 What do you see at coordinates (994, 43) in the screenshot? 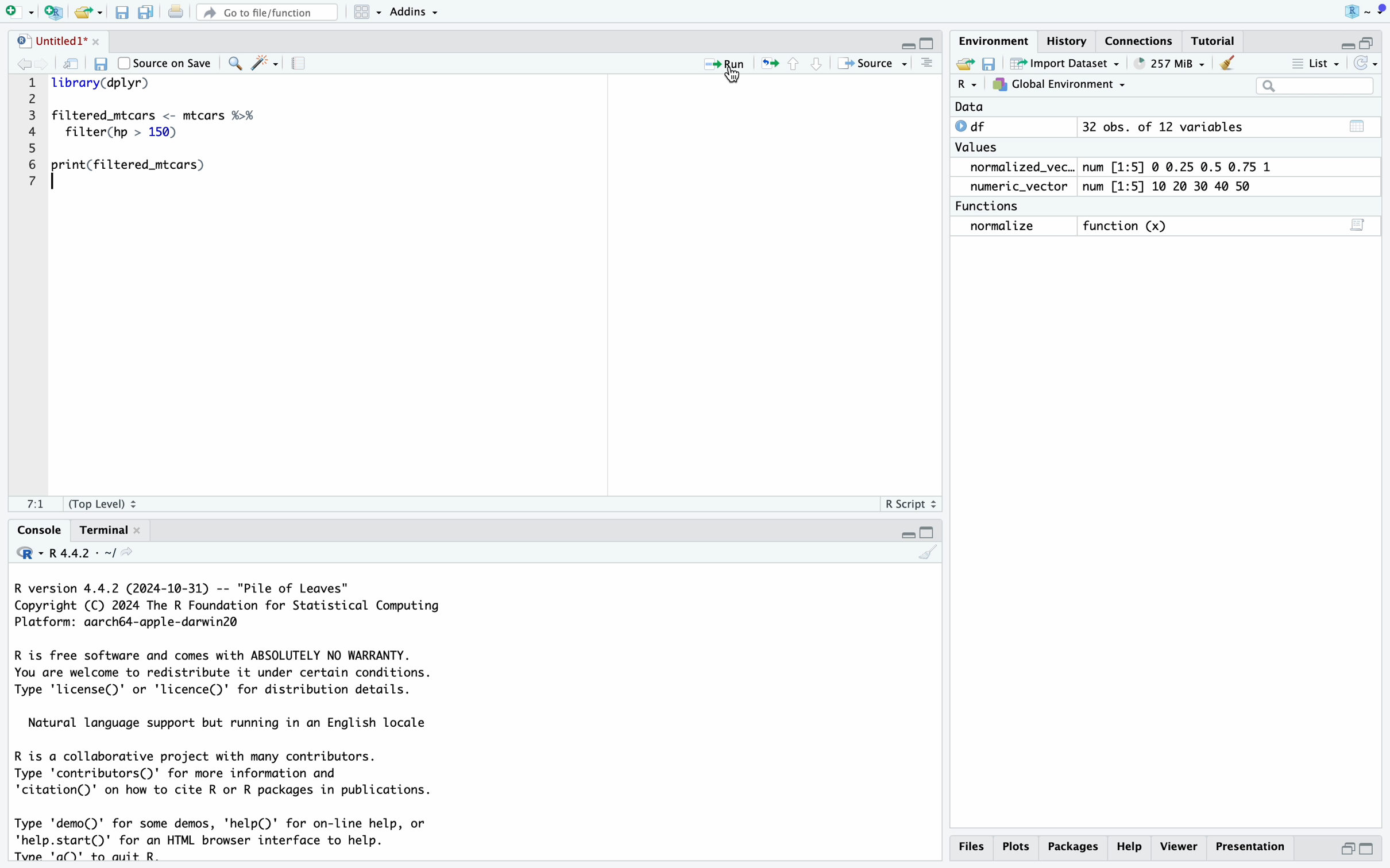
I see `Environment` at bounding box center [994, 43].